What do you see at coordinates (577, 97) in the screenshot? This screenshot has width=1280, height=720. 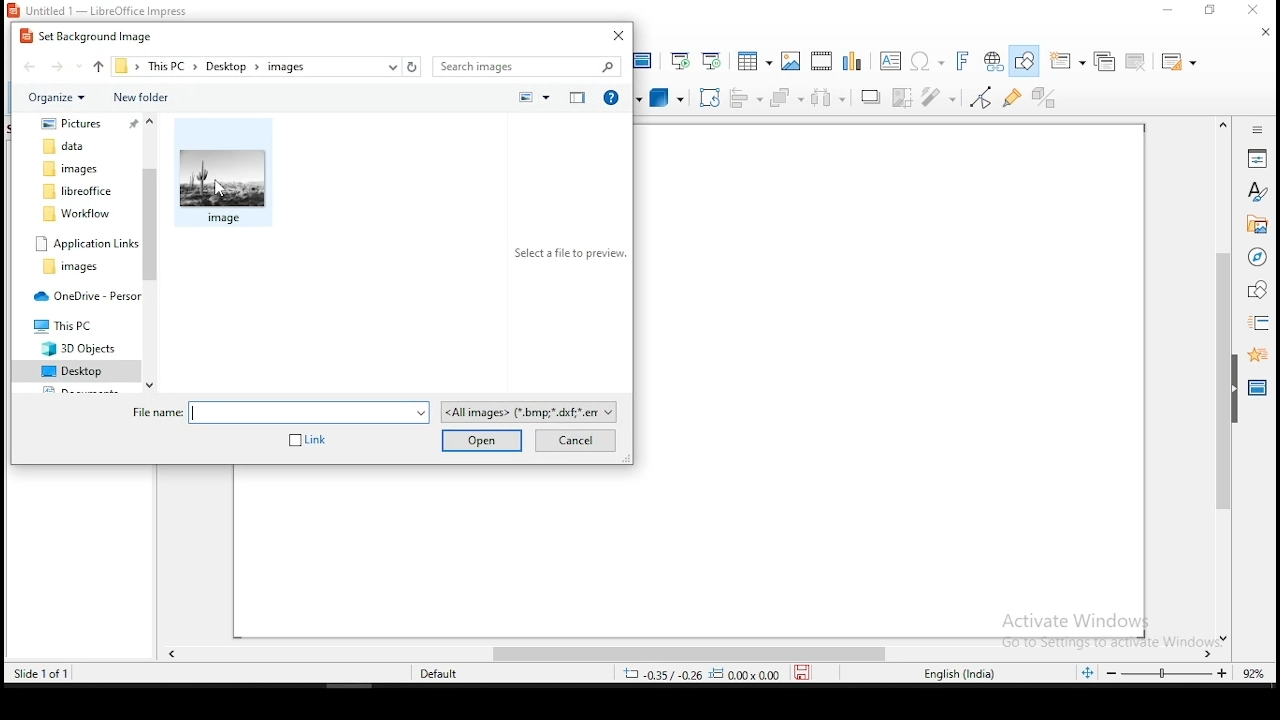 I see `preview pane` at bounding box center [577, 97].